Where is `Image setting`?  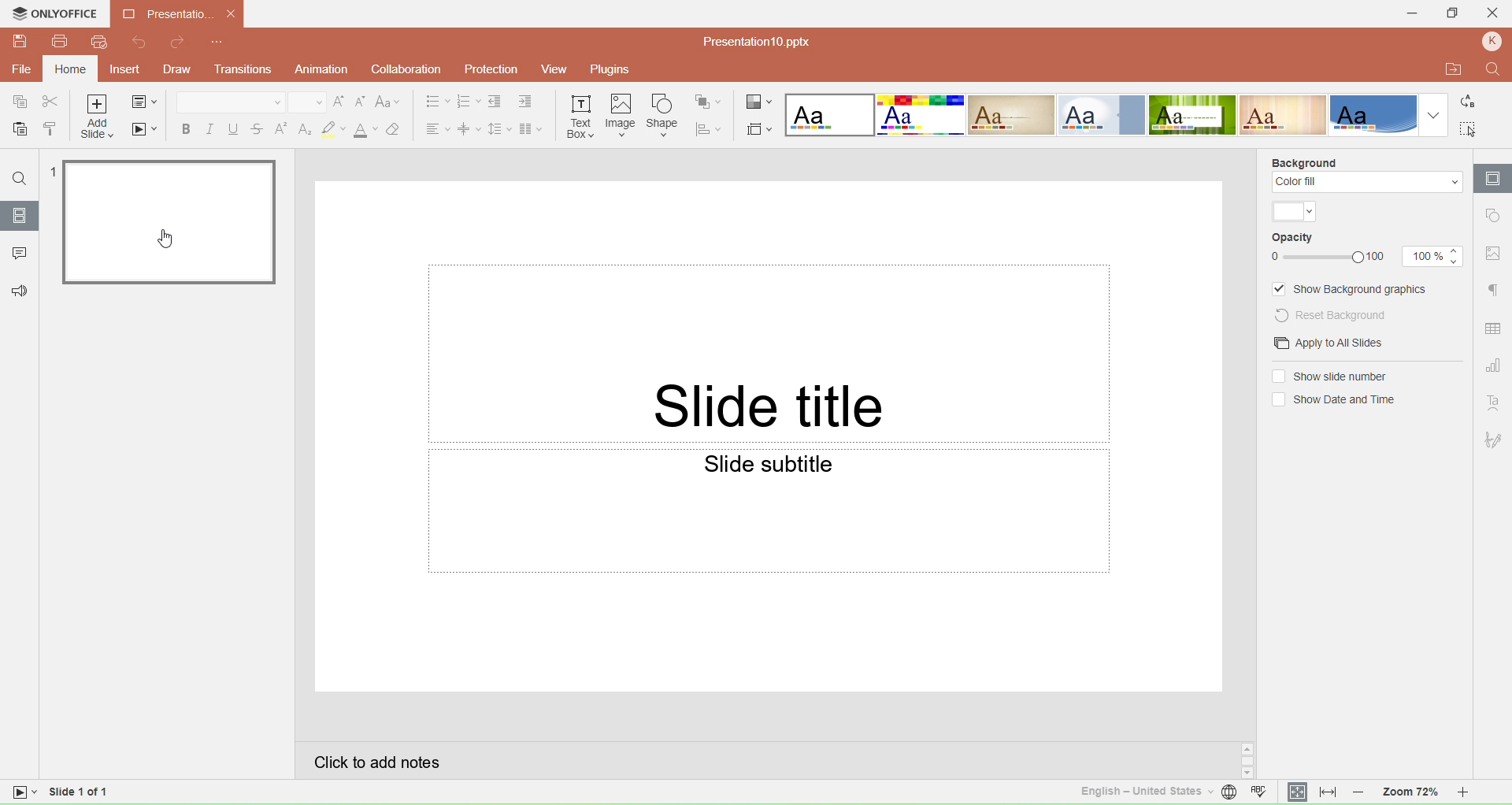
Image setting is located at coordinates (1493, 254).